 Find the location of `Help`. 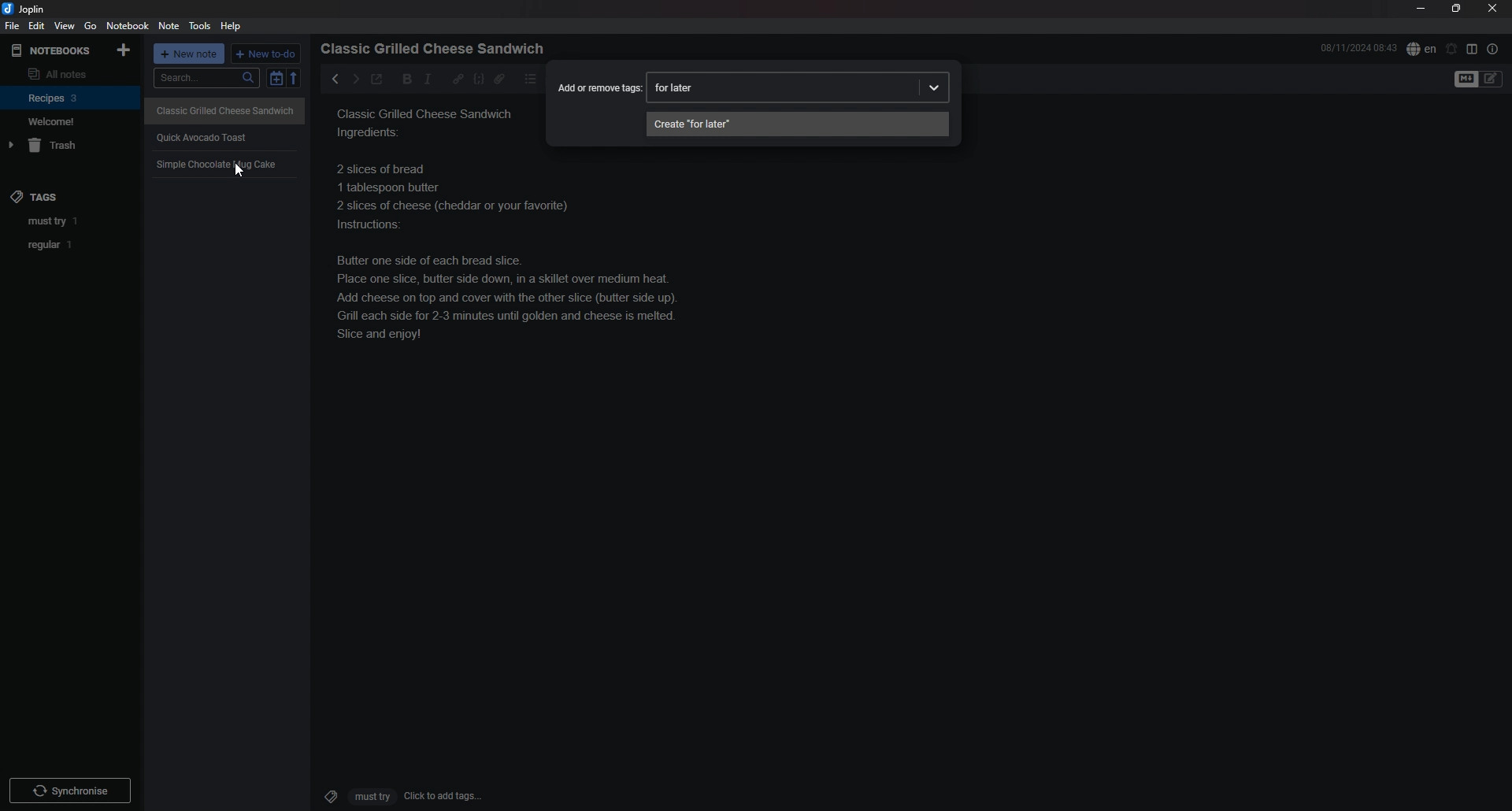

Help is located at coordinates (232, 25).